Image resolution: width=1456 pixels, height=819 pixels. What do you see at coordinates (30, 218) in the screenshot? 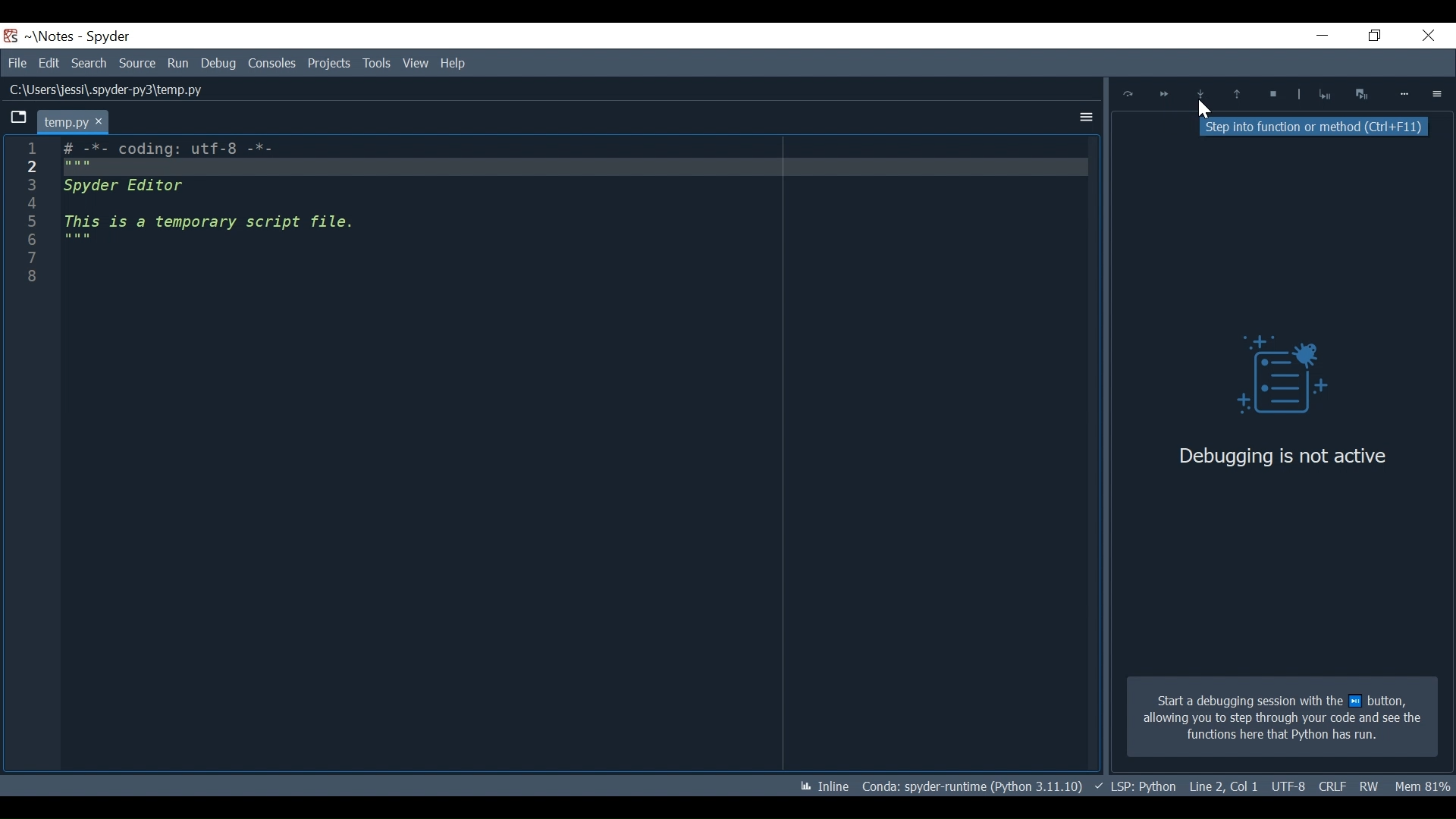
I see `1 2 3 4 5 6 7 8` at bounding box center [30, 218].